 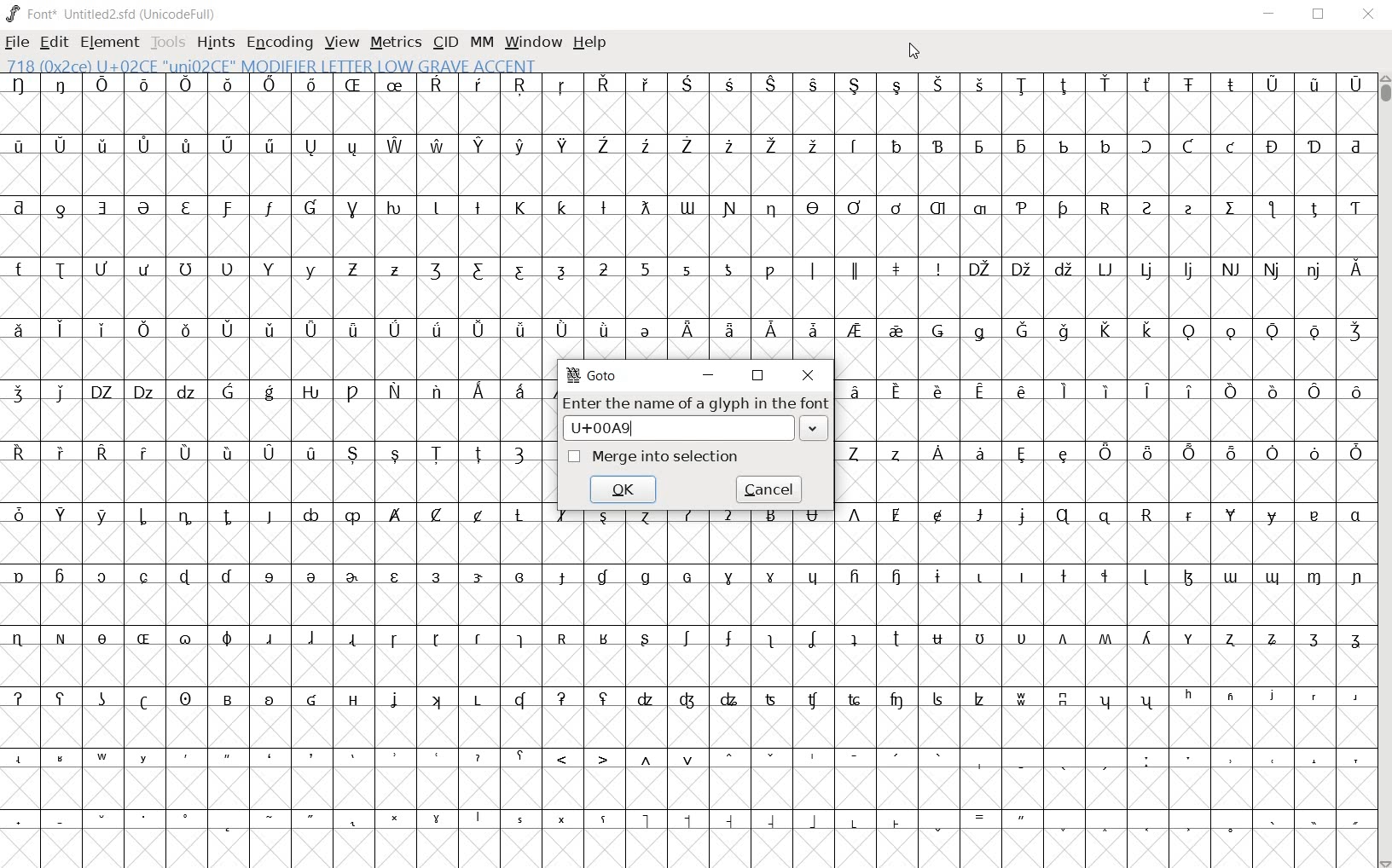 What do you see at coordinates (214, 43) in the screenshot?
I see `hints` at bounding box center [214, 43].